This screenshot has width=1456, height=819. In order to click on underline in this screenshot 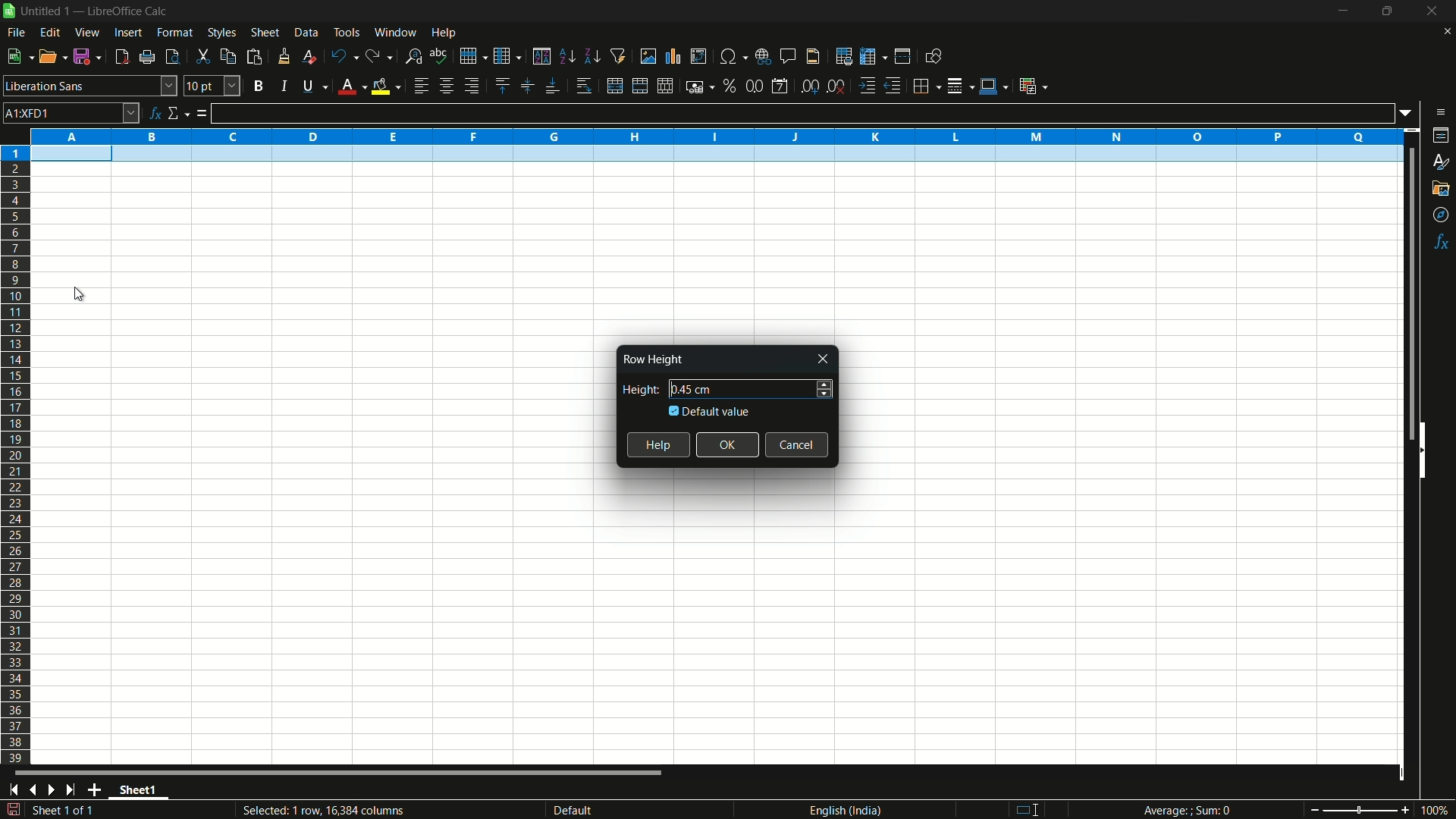, I will do `click(312, 87)`.